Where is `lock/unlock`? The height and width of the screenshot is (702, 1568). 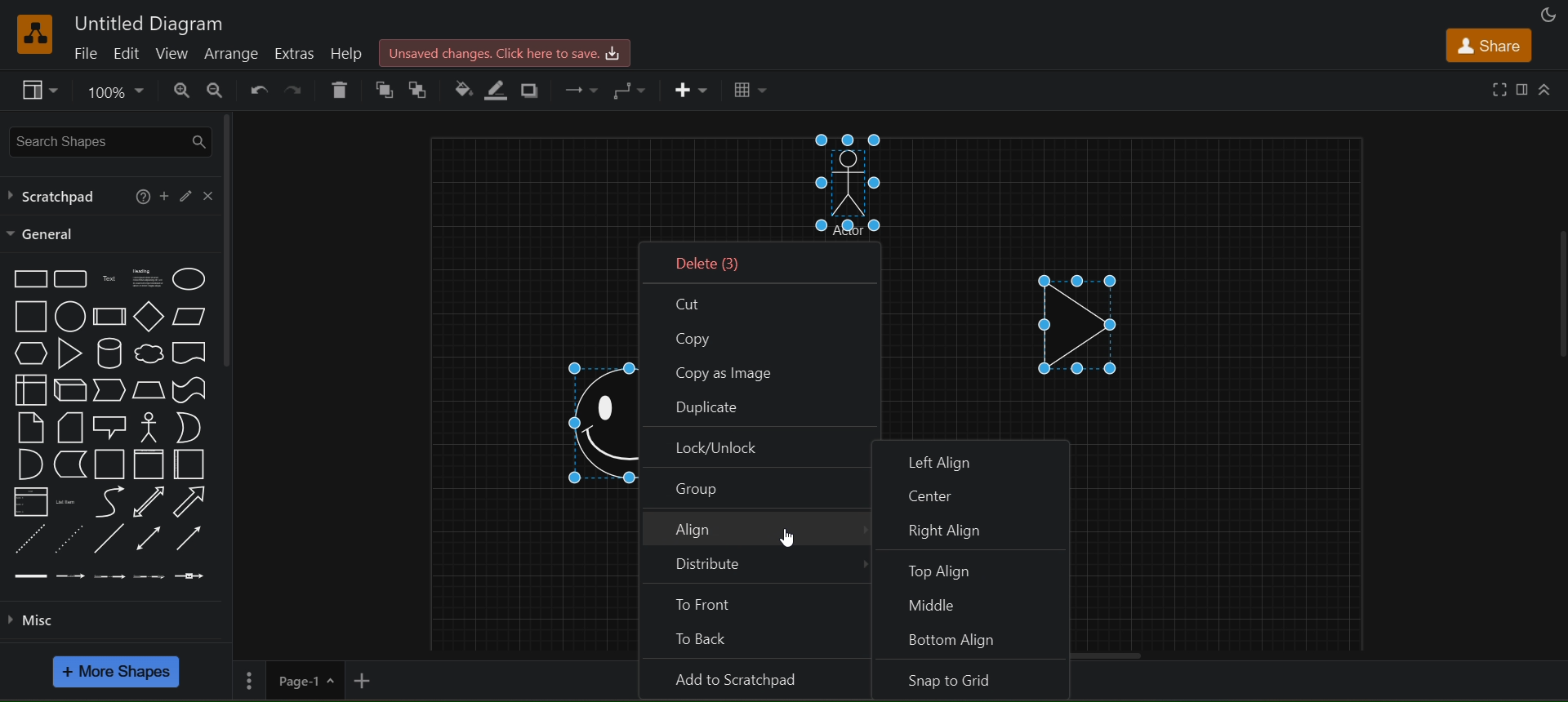 lock/unlock is located at coordinates (757, 447).